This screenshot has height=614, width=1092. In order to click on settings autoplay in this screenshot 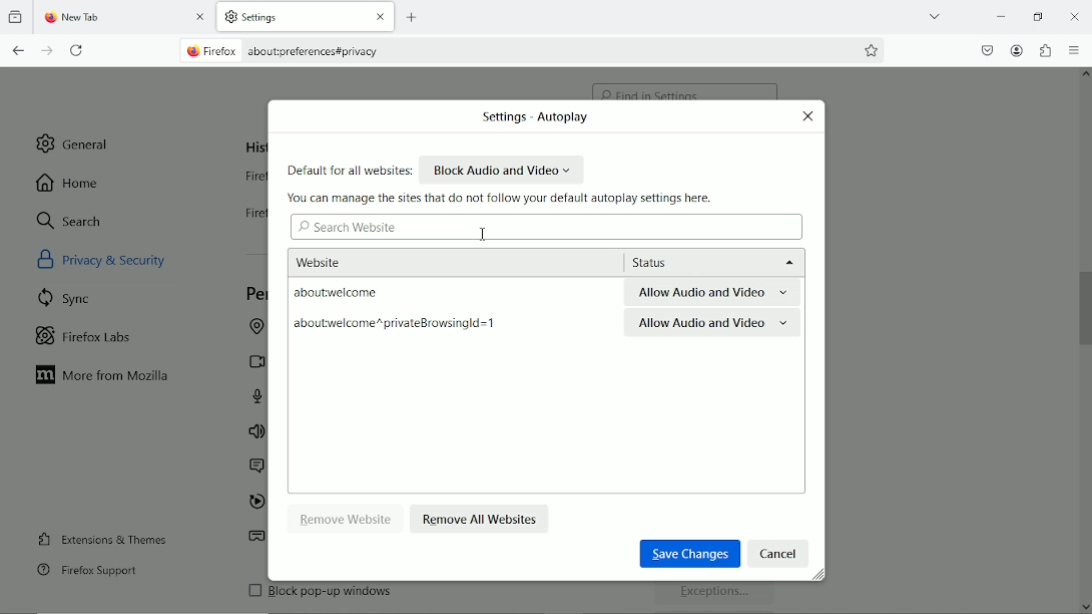, I will do `click(530, 118)`.